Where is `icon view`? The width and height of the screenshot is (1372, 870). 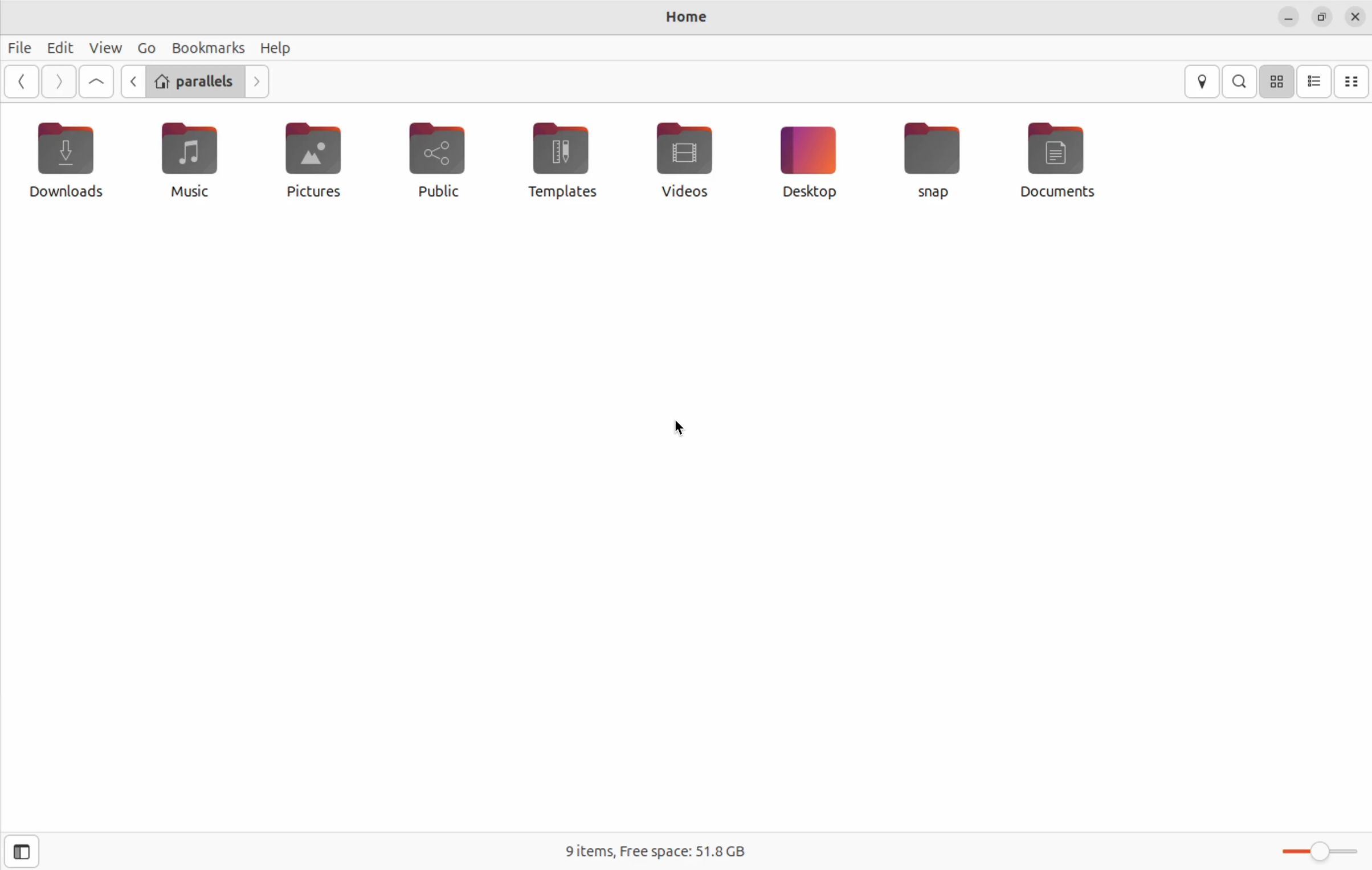 icon view is located at coordinates (1277, 80).